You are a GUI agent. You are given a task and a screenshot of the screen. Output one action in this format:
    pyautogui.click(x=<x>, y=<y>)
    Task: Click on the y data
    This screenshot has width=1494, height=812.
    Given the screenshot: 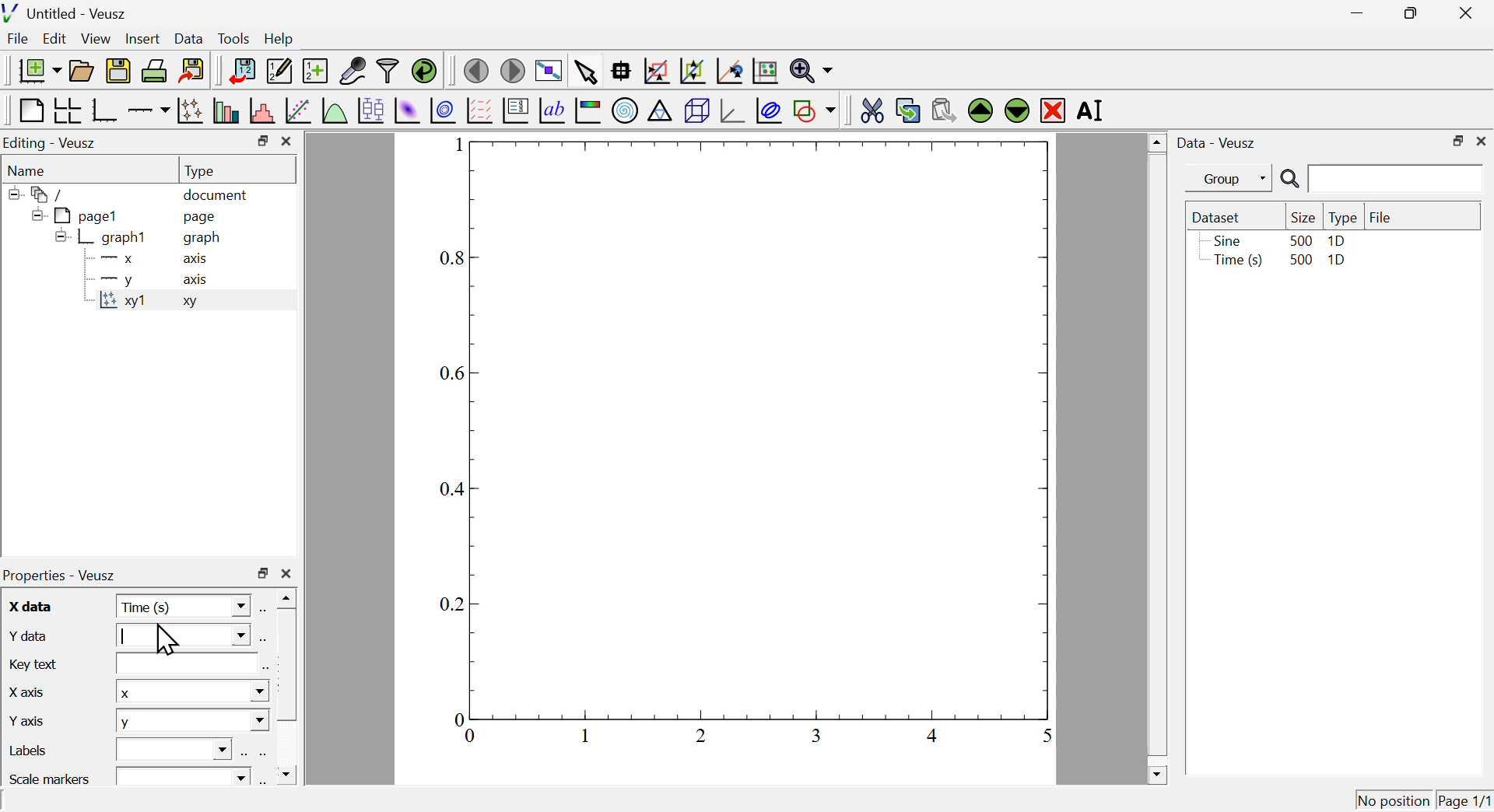 What is the action you would take?
    pyautogui.click(x=29, y=635)
    